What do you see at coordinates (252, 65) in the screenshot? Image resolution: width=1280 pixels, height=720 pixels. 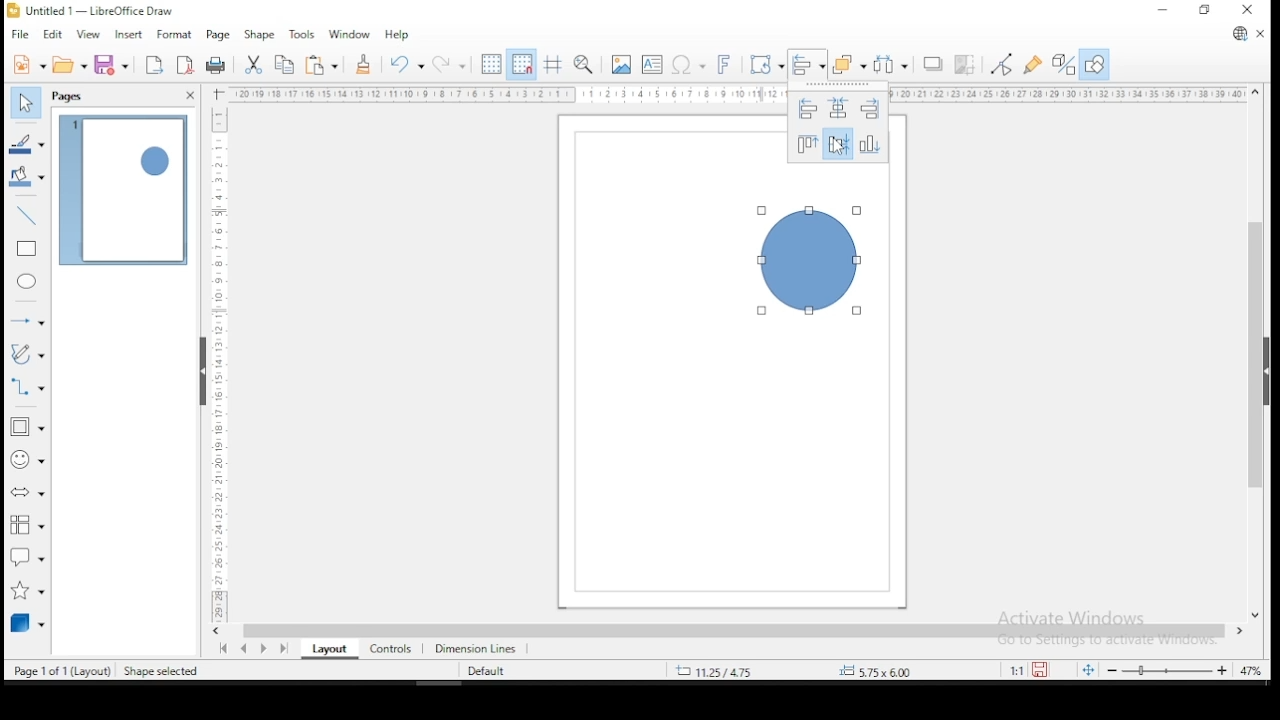 I see `cut` at bounding box center [252, 65].